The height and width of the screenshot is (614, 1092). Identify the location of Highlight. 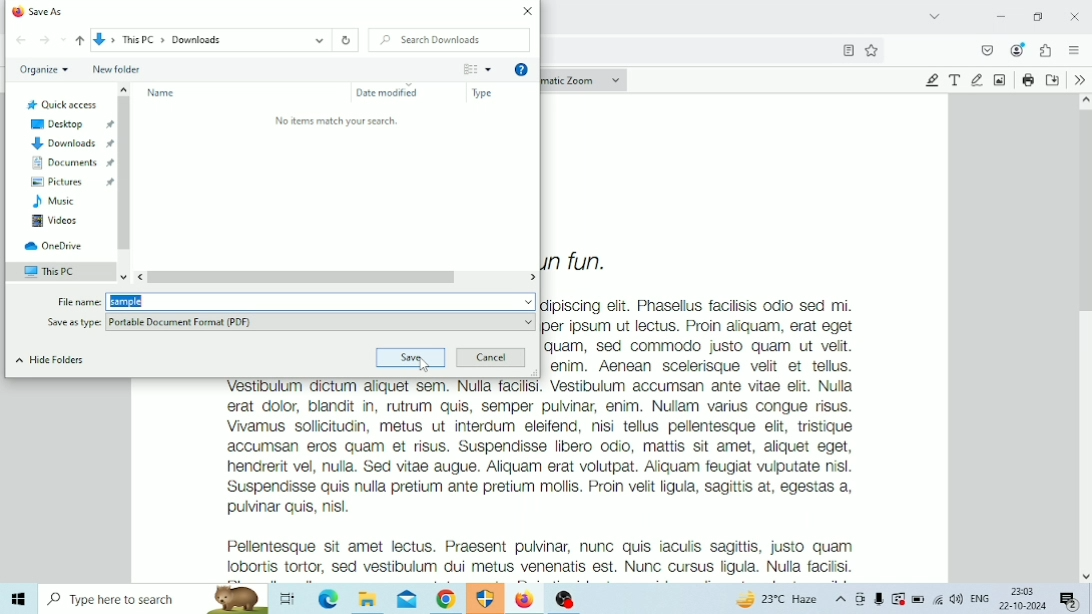
(933, 80).